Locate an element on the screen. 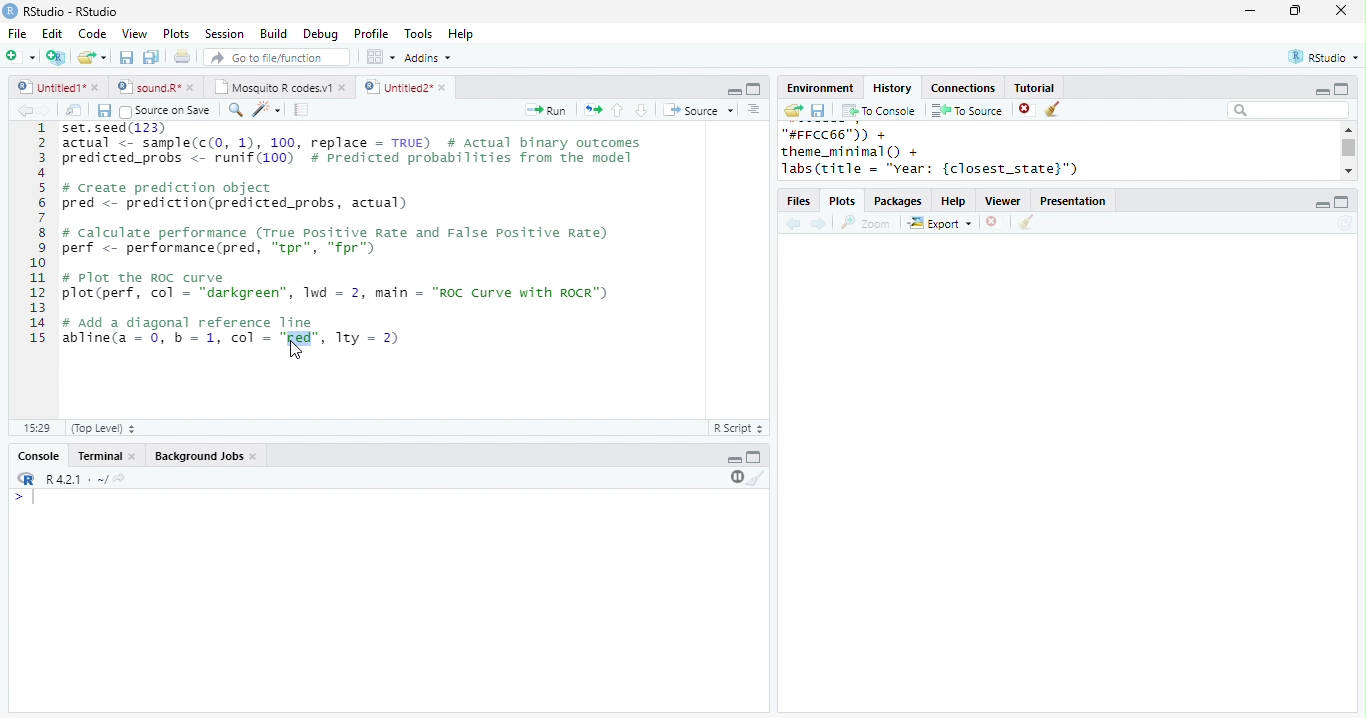 This screenshot has height=718, width=1366. code tools is located at coordinates (267, 109).